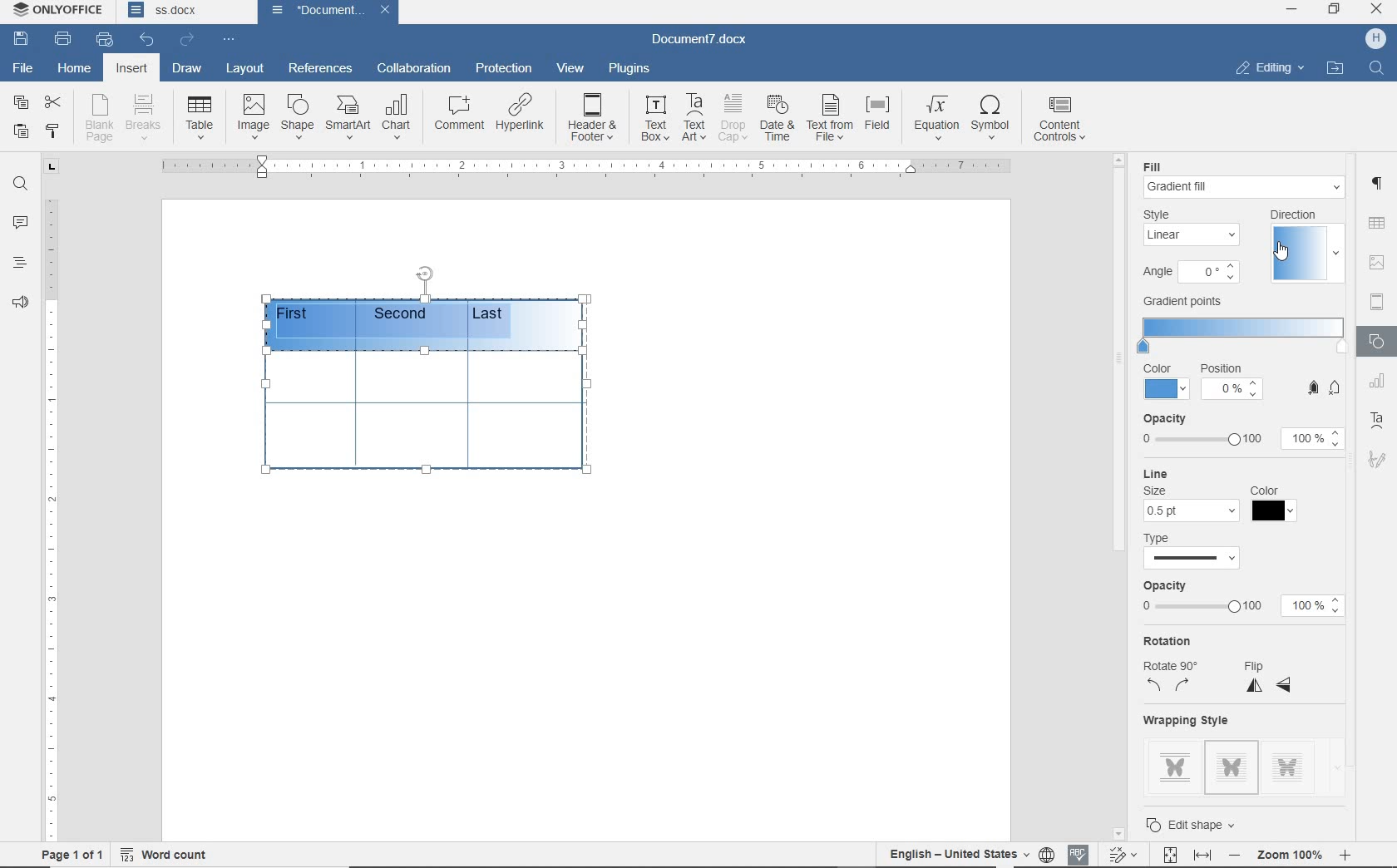 This screenshot has height=868, width=1397. I want to click on word count, so click(166, 851).